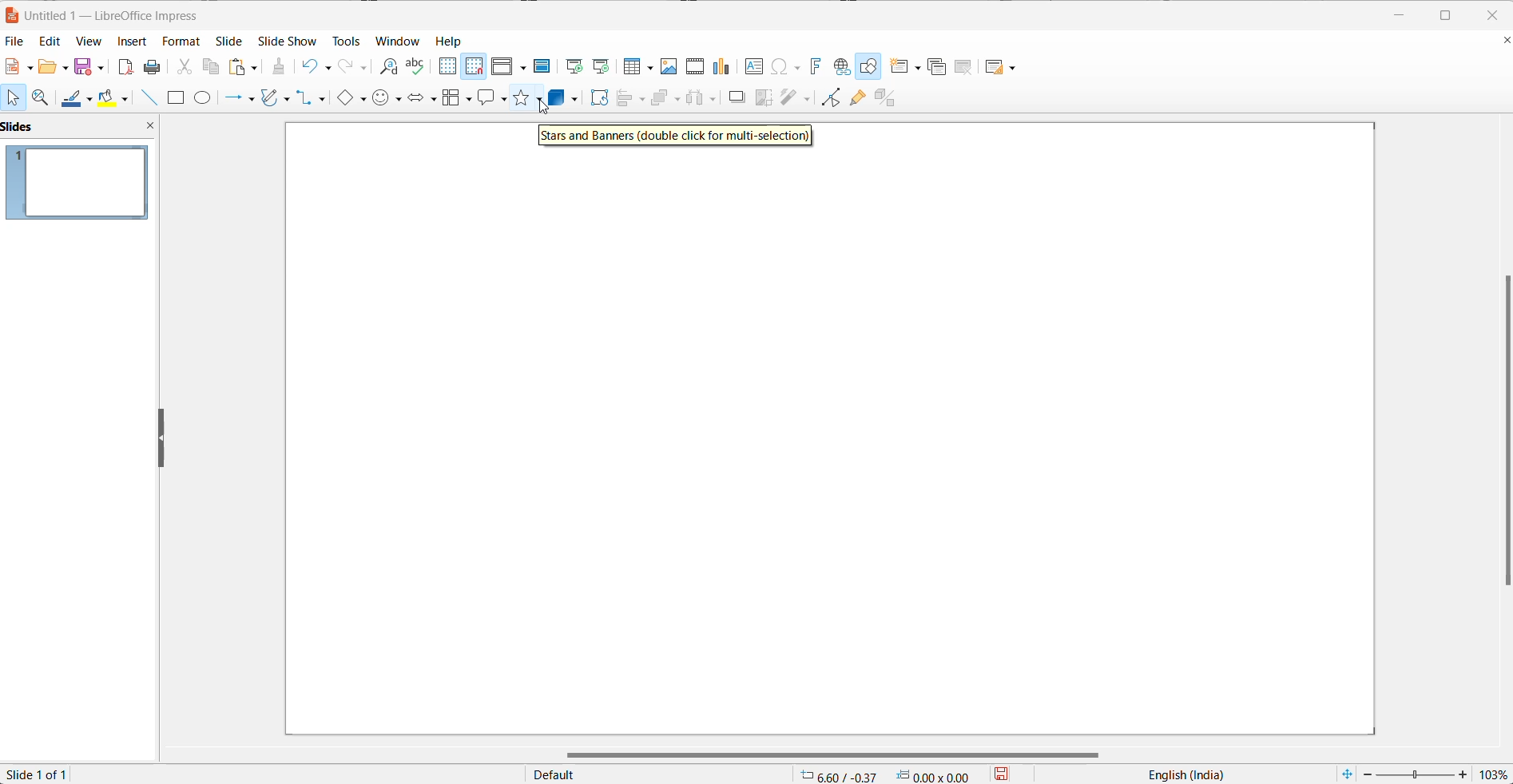 This screenshot has height=784, width=1513. Describe the element at coordinates (1393, 16) in the screenshot. I see `minimize` at that location.